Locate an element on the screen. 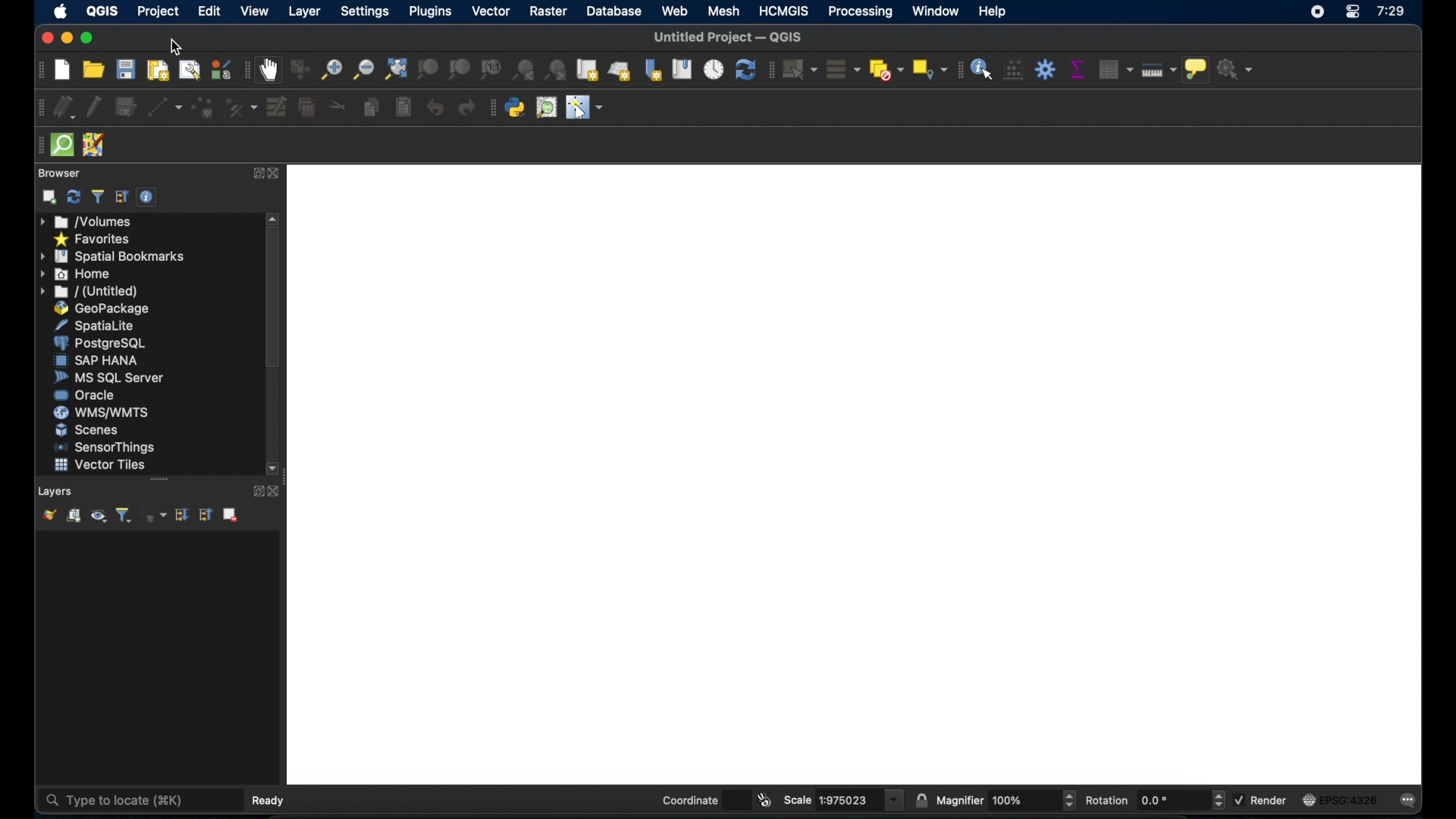  refresh is located at coordinates (72, 196).